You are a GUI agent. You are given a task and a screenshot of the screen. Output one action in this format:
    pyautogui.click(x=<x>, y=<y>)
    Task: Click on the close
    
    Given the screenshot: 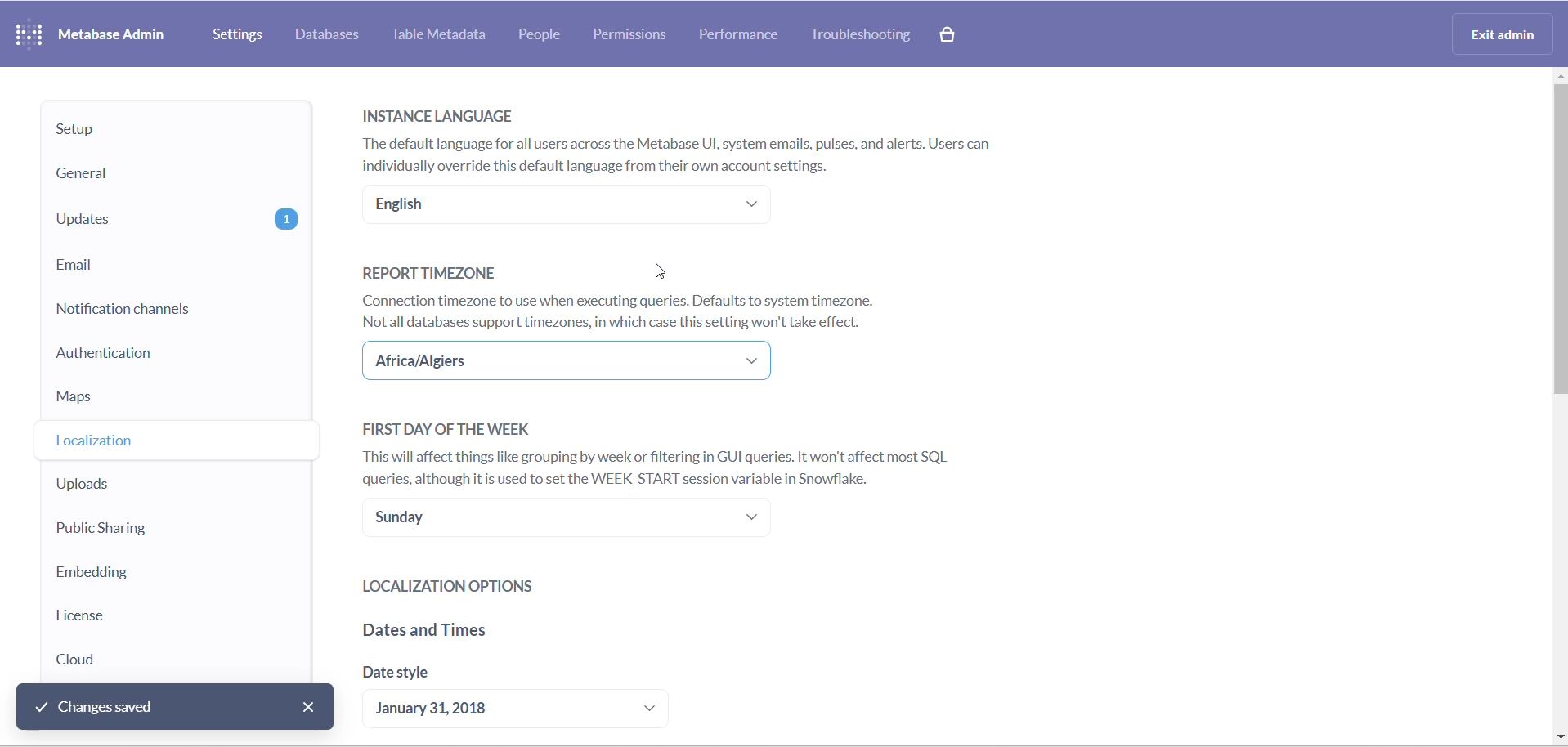 What is the action you would take?
    pyautogui.click(x=311, y=705)
    